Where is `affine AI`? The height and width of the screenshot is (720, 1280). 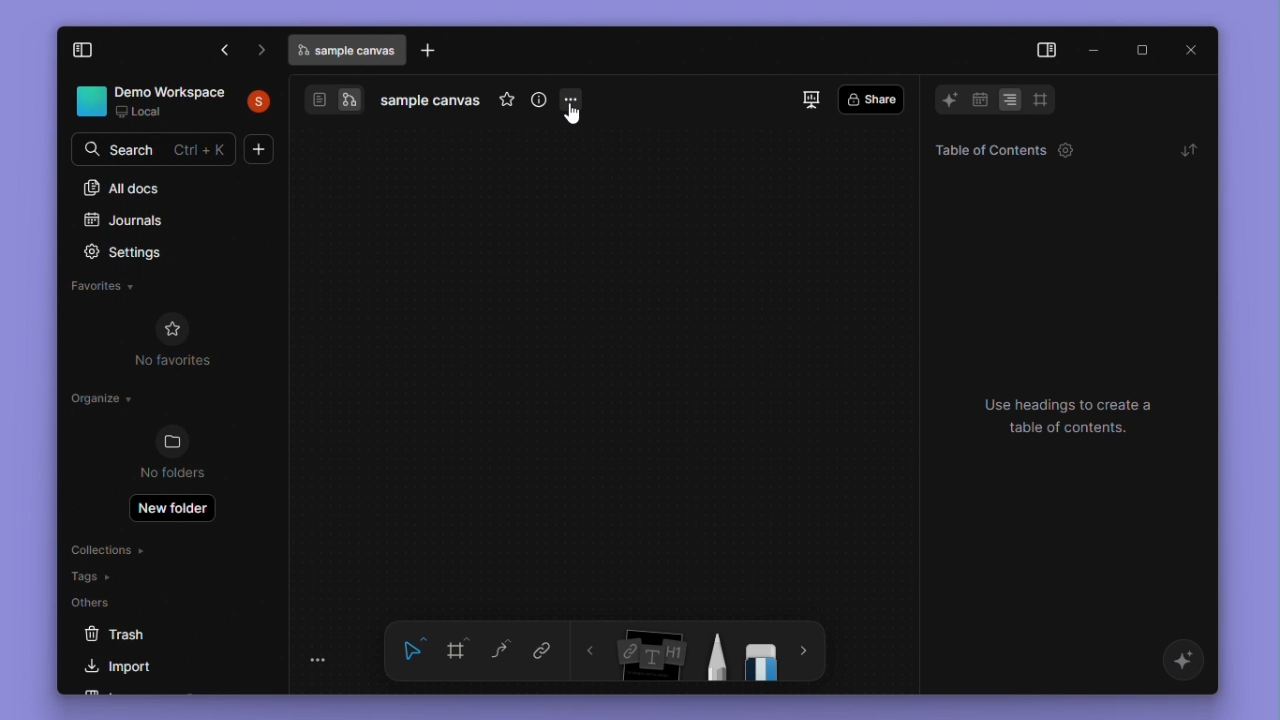 affine AI is located at coordinates (1186, 662).